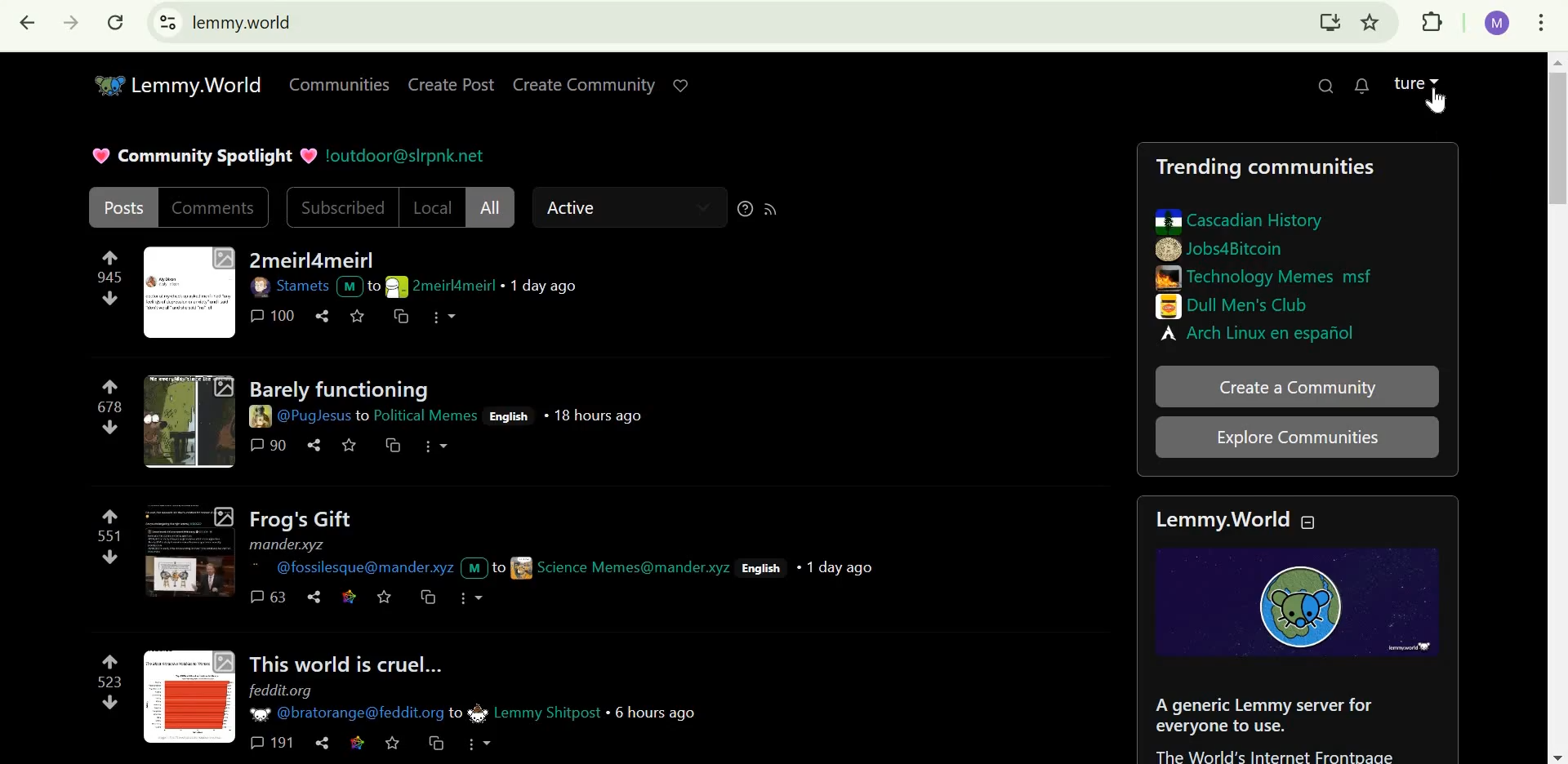 Image resolution: width=1568 pixels, height=764 pixels. Describe the element at coordinates (1407, 79) in the screenshot. I see `lemmy accouny` at that location.